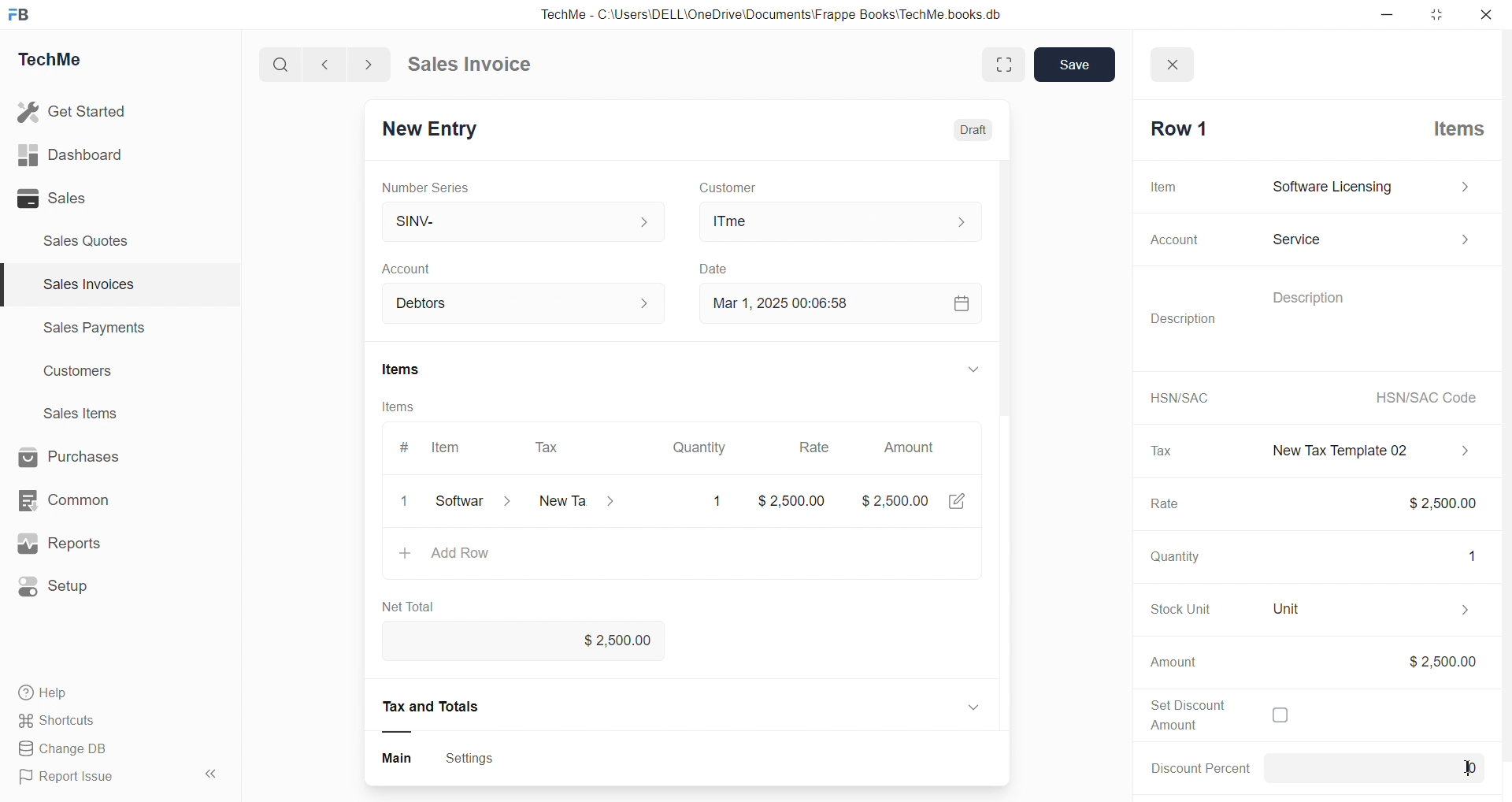 This screenshot has width=1512, height=802. Describe the element at coordinates (912, 443) in the screenshot. I see `Amount` at that location.